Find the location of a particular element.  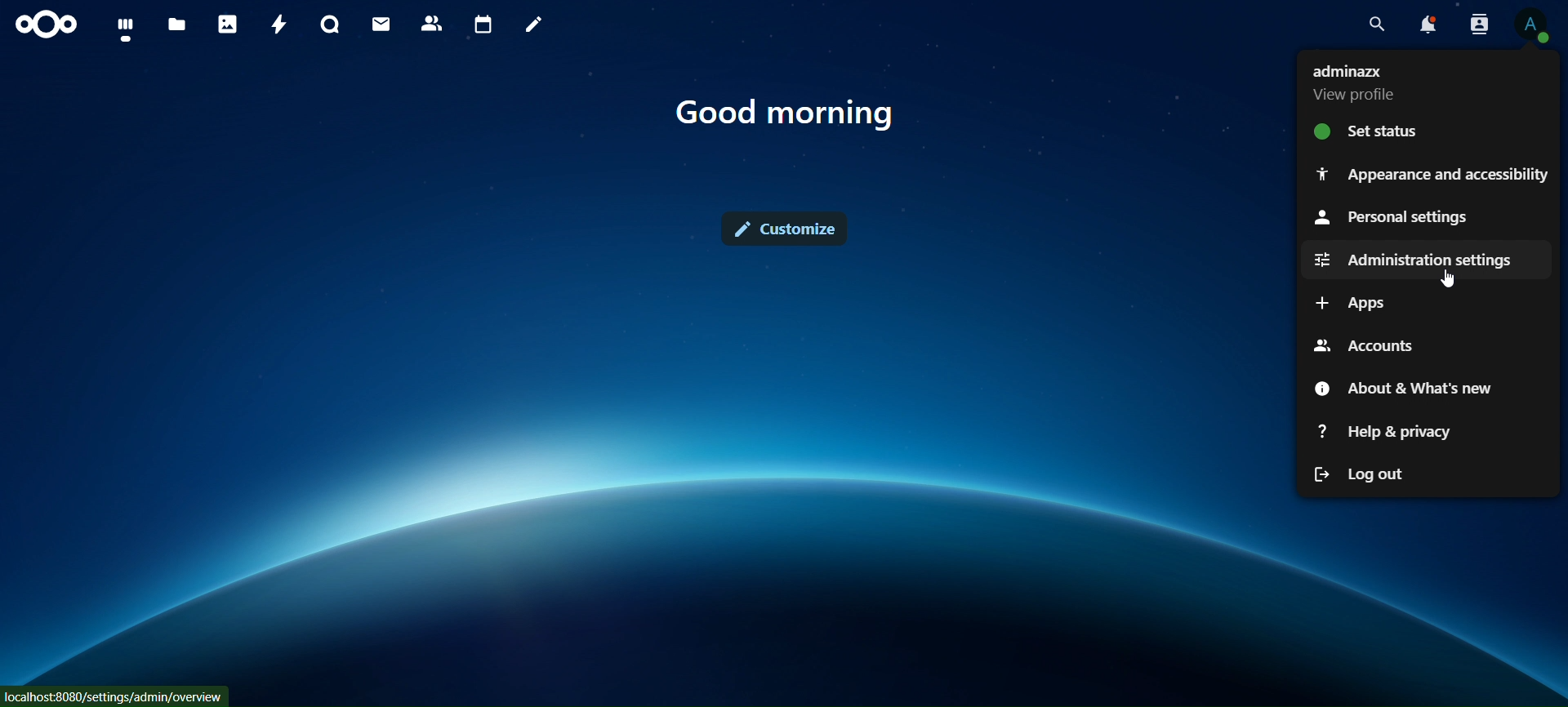

cursor is located at coordinates (1446, 278).